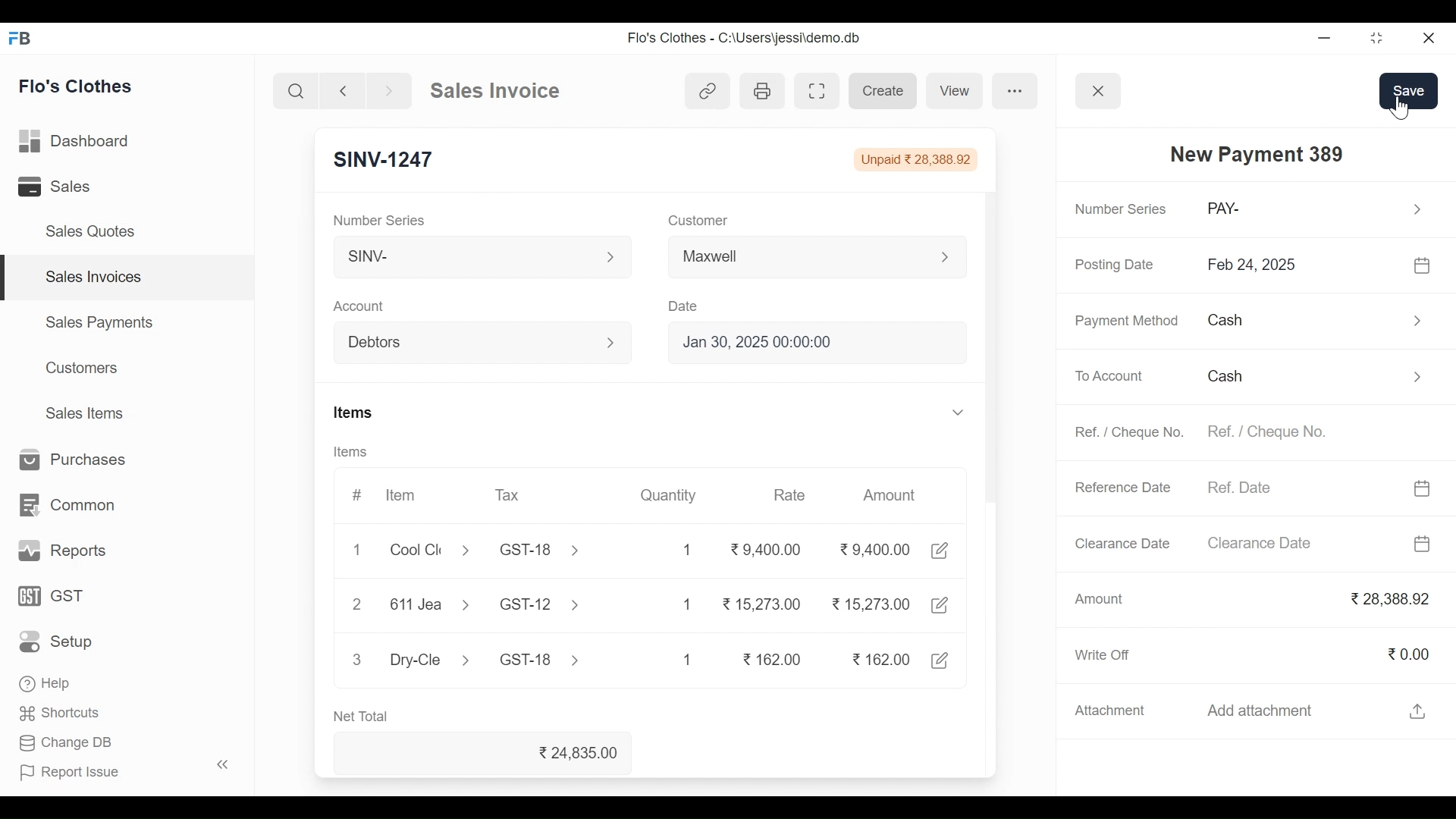 The height and width of the screenshot is (819, 1456). What do you see at coordinates (1103, 600) in the screenshot?
I see `Amount` at bounding box center [1103, 600].